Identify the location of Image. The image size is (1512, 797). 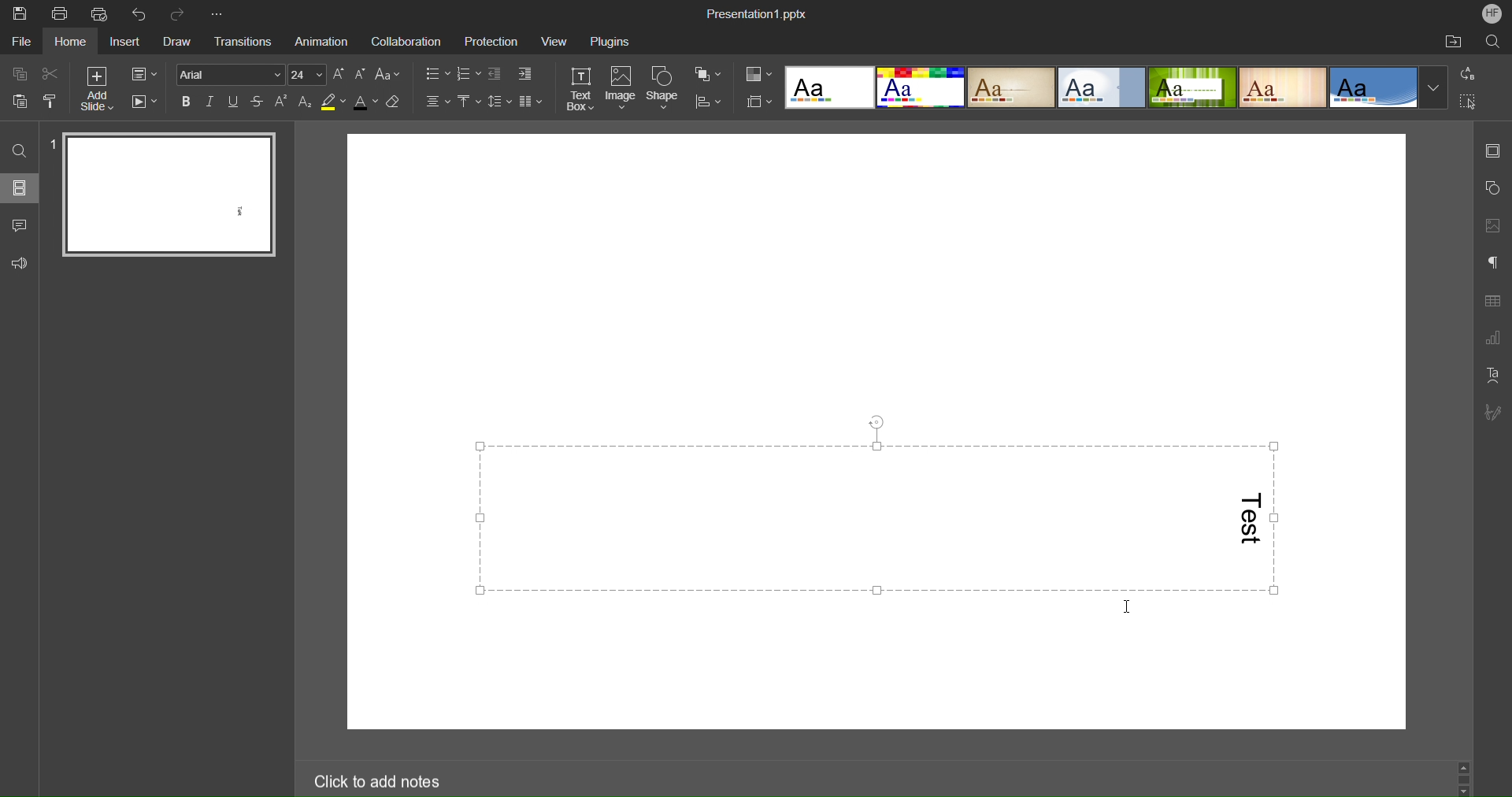
(621, 88).